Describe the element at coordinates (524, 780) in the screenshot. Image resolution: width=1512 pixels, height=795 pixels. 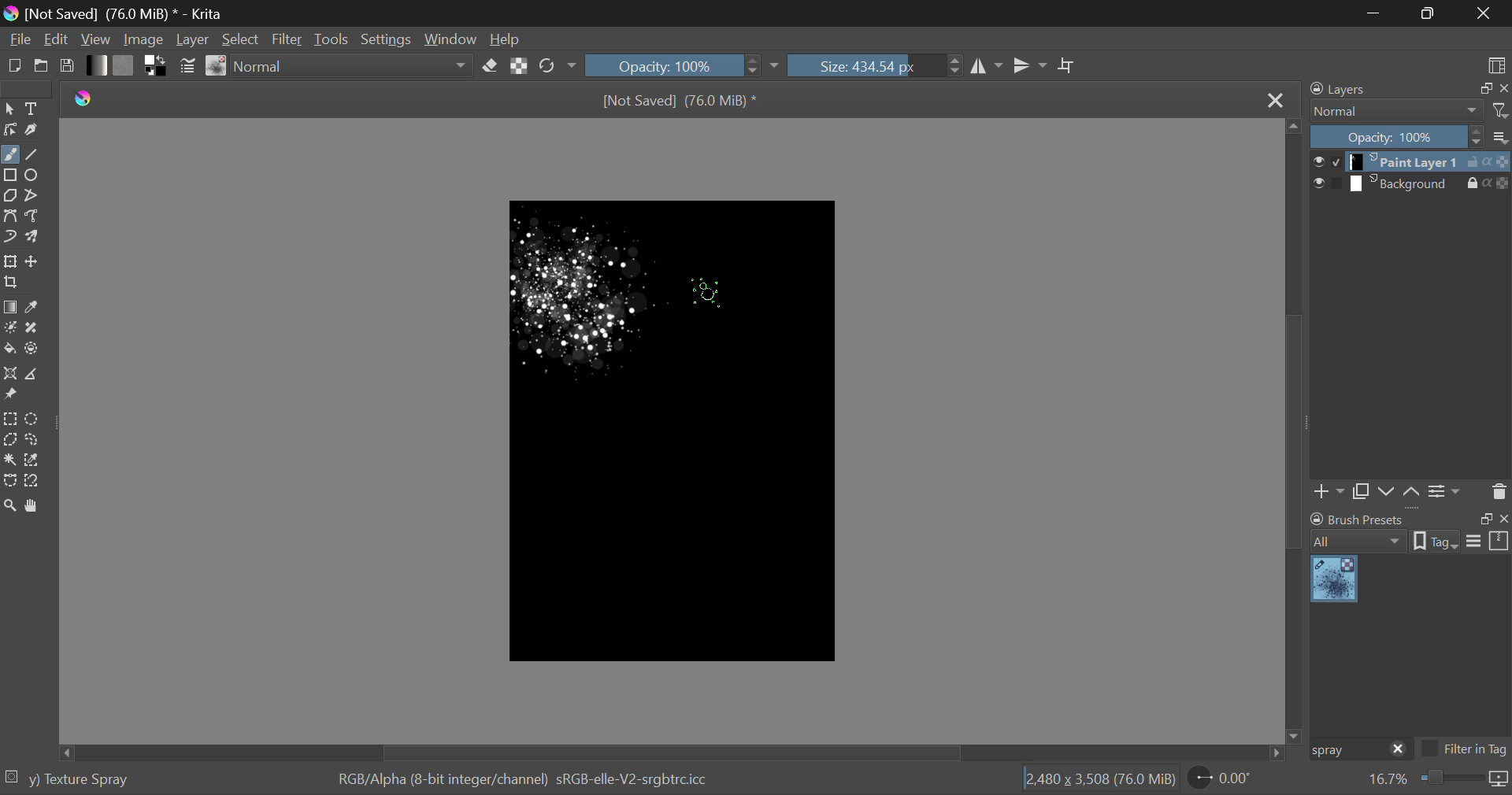
I see `RGB/Alpha (8-bit integer/channel) sRGB-elle-V2-srgbtrcicc` at that location.